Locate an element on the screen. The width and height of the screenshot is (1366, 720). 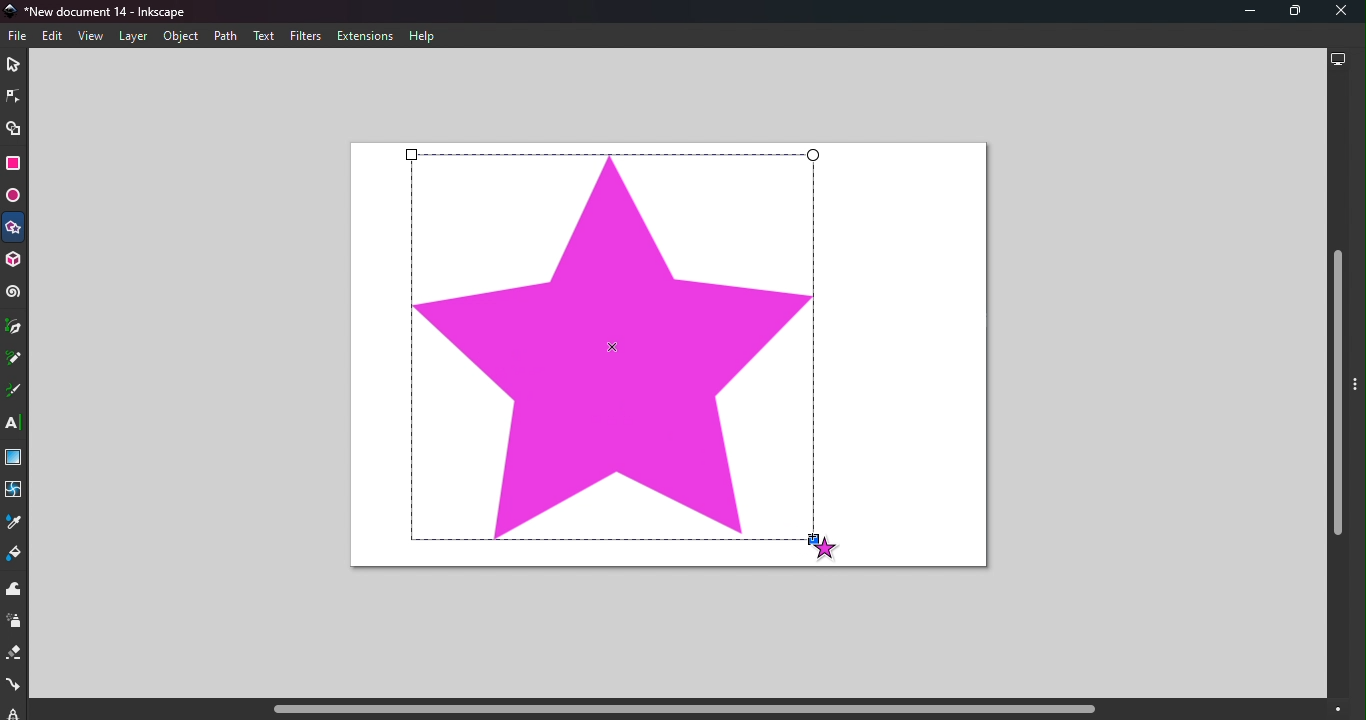
Cursor is located at coordinates (822, 545).